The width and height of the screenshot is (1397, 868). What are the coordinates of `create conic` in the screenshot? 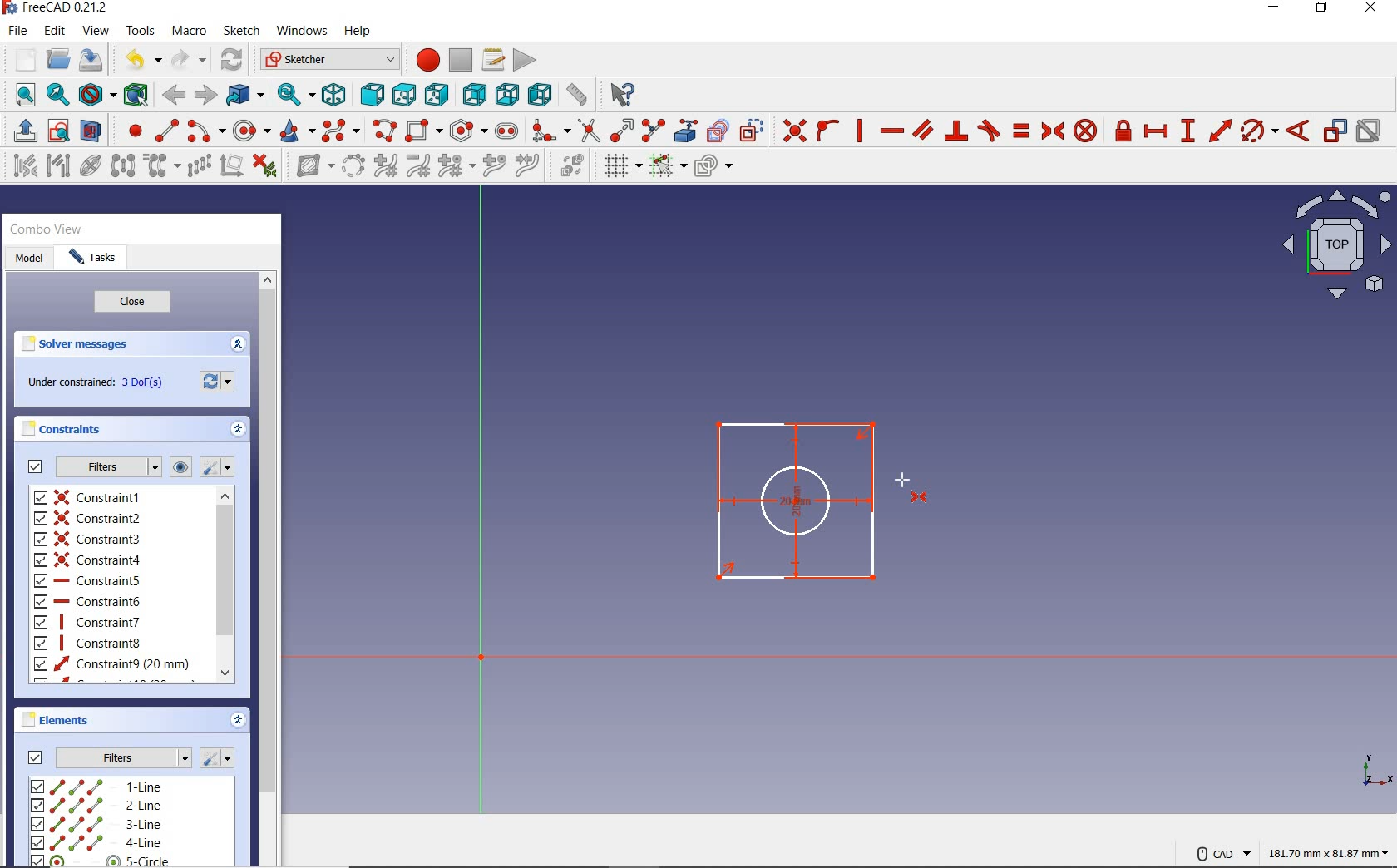 It's located at (298, 131).